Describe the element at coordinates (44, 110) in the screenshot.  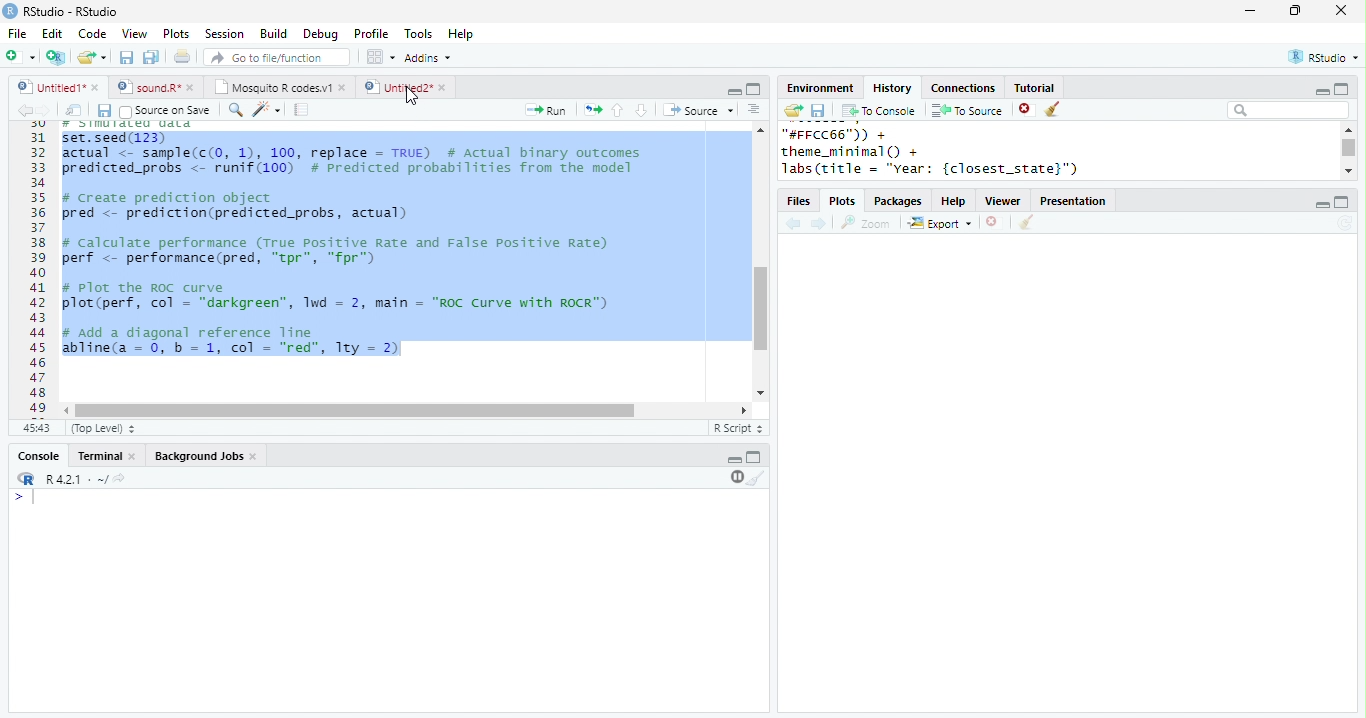
I see `forward` at that location.